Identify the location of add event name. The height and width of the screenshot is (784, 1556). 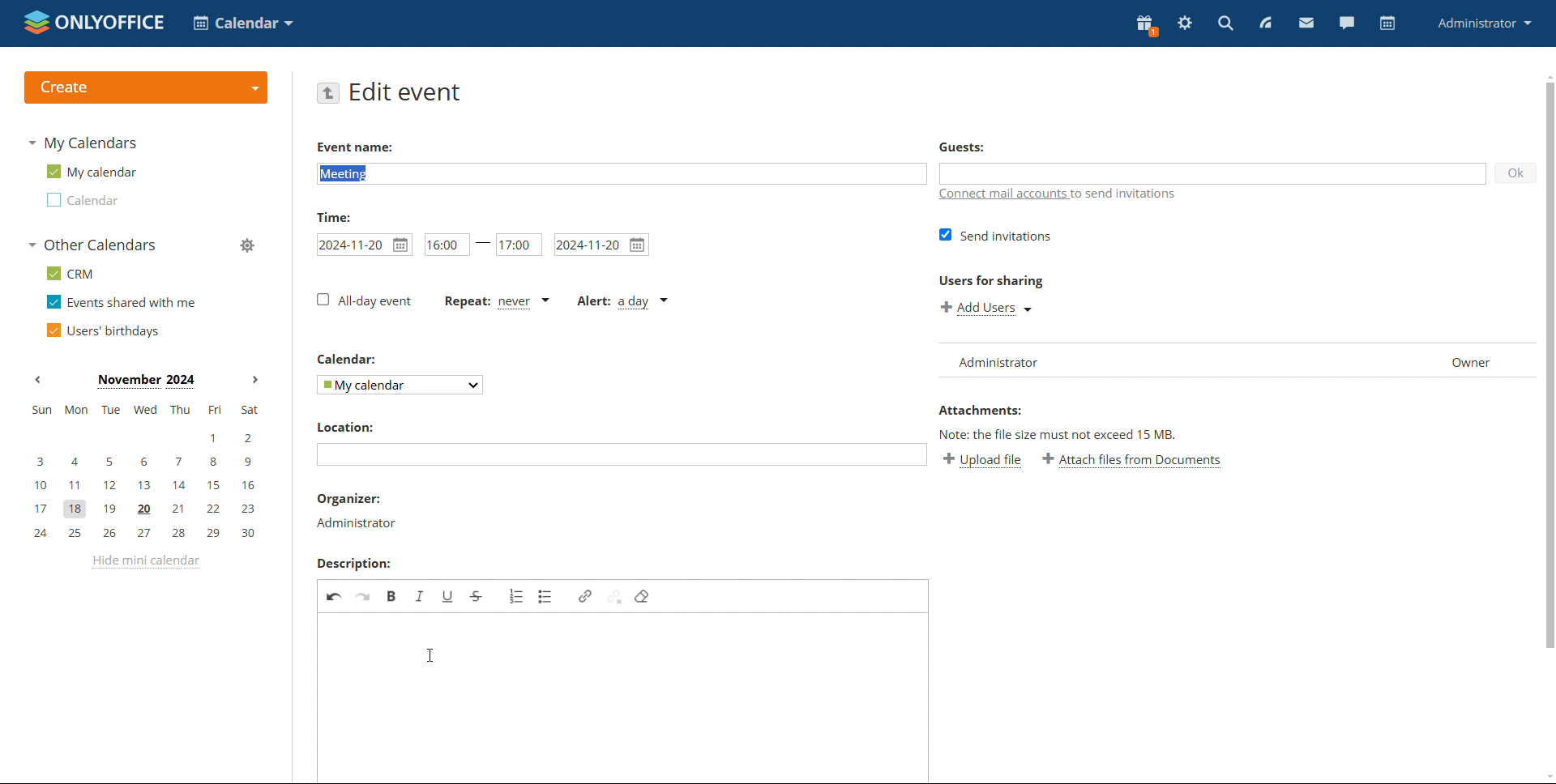
(622, 173).